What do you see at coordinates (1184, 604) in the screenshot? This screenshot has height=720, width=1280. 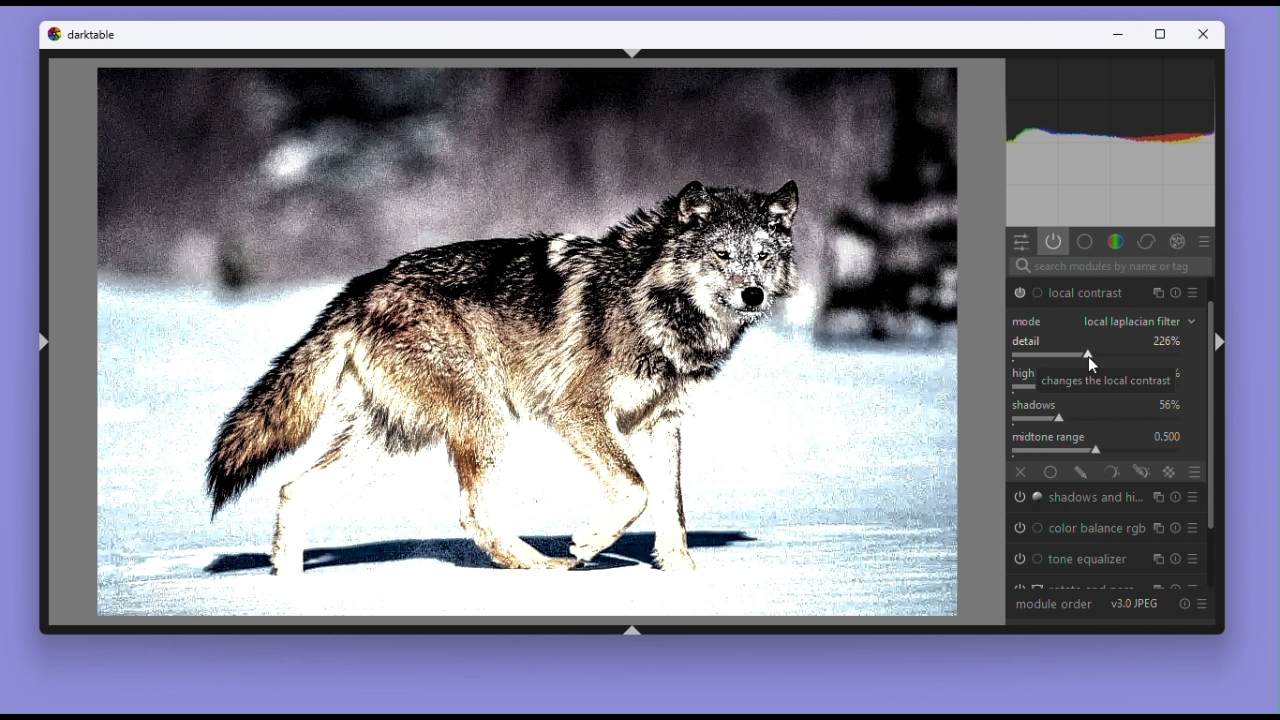 I see `Reset` at bounding box center [1184, 604].